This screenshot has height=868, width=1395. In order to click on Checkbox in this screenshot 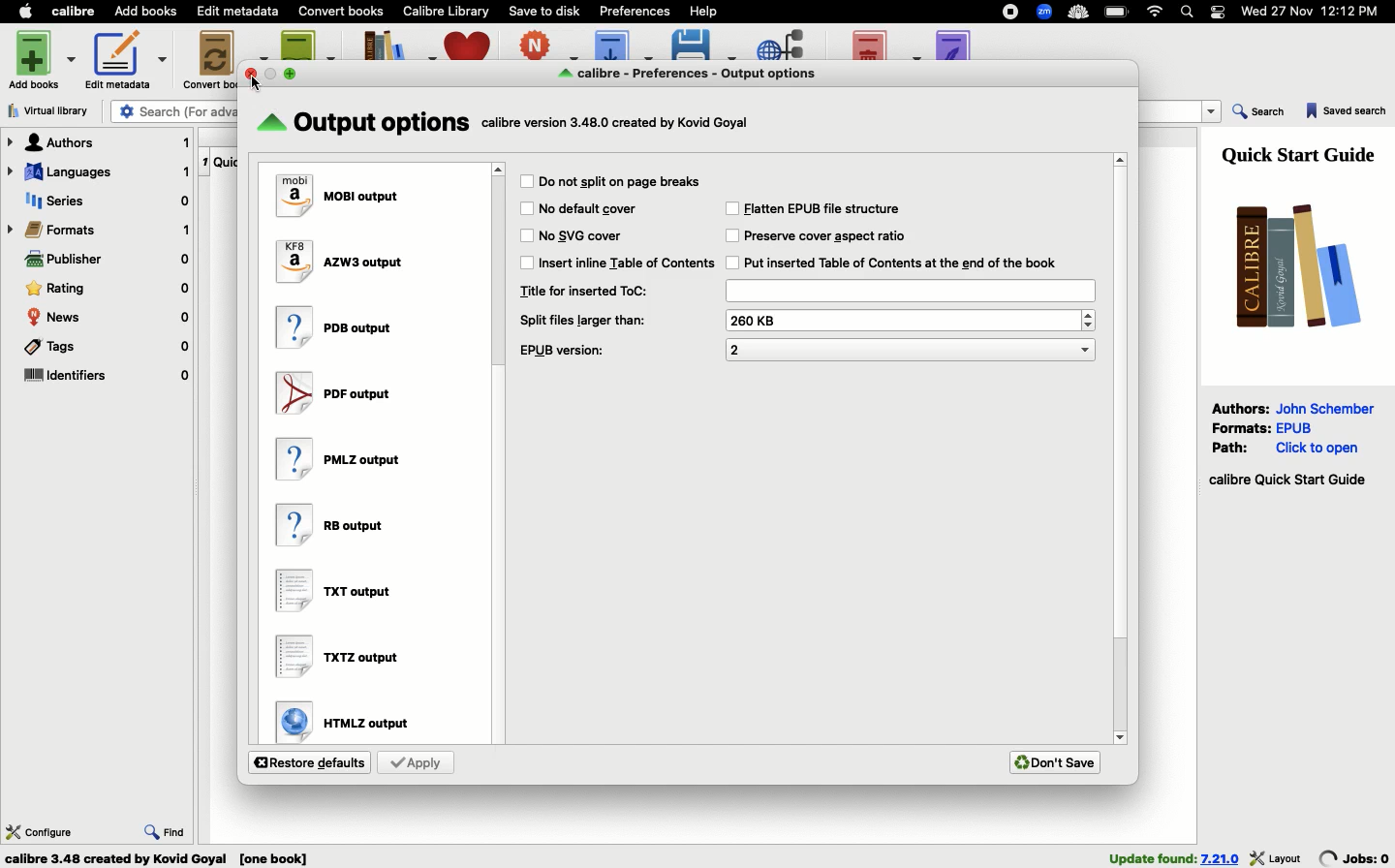, I will do `click(731, 208)`.